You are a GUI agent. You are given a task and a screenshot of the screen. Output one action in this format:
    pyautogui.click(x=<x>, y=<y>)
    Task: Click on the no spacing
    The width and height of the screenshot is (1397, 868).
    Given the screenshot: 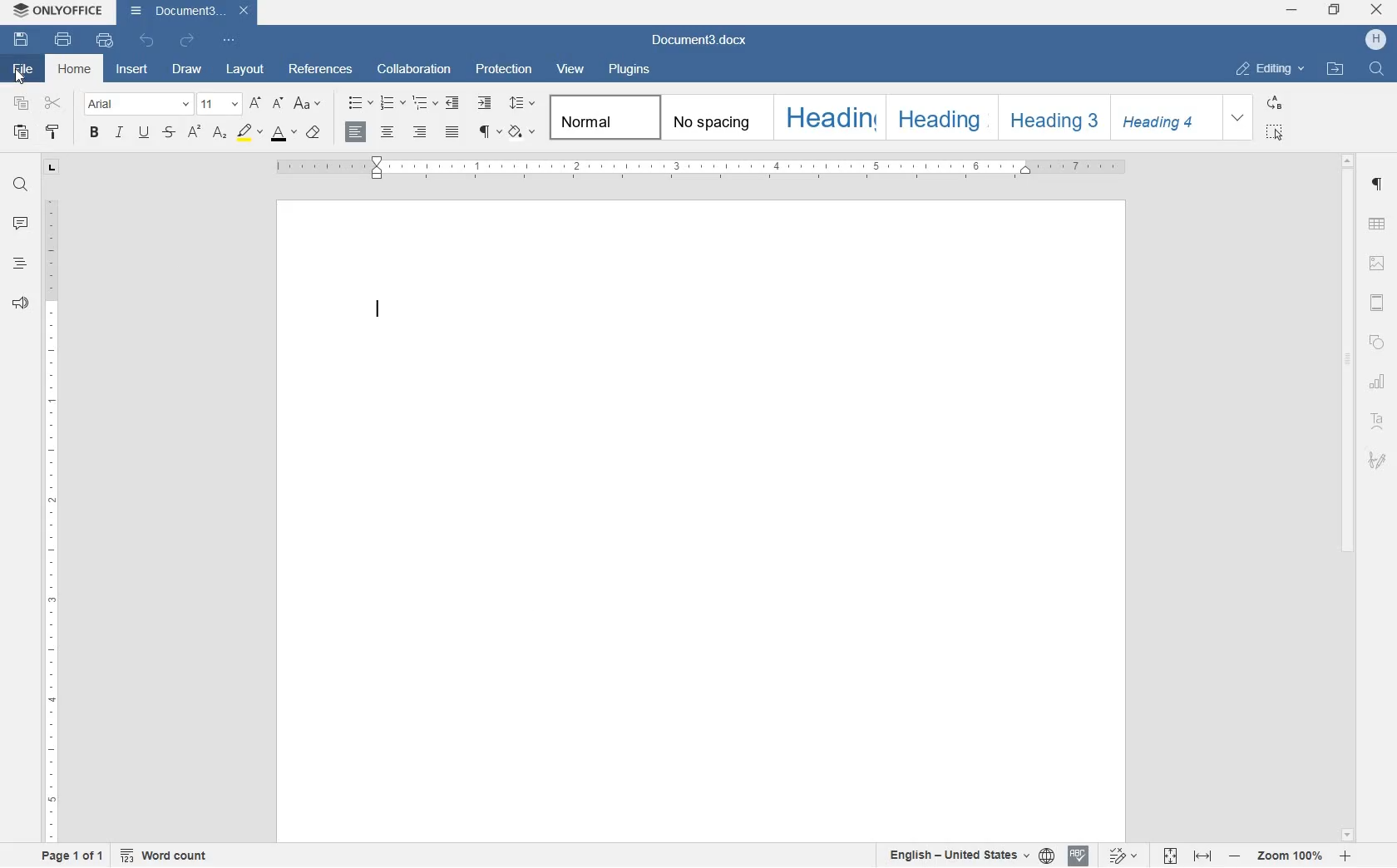 What is the action you would take?
    pyautogui.click(x=711, y=118)
    